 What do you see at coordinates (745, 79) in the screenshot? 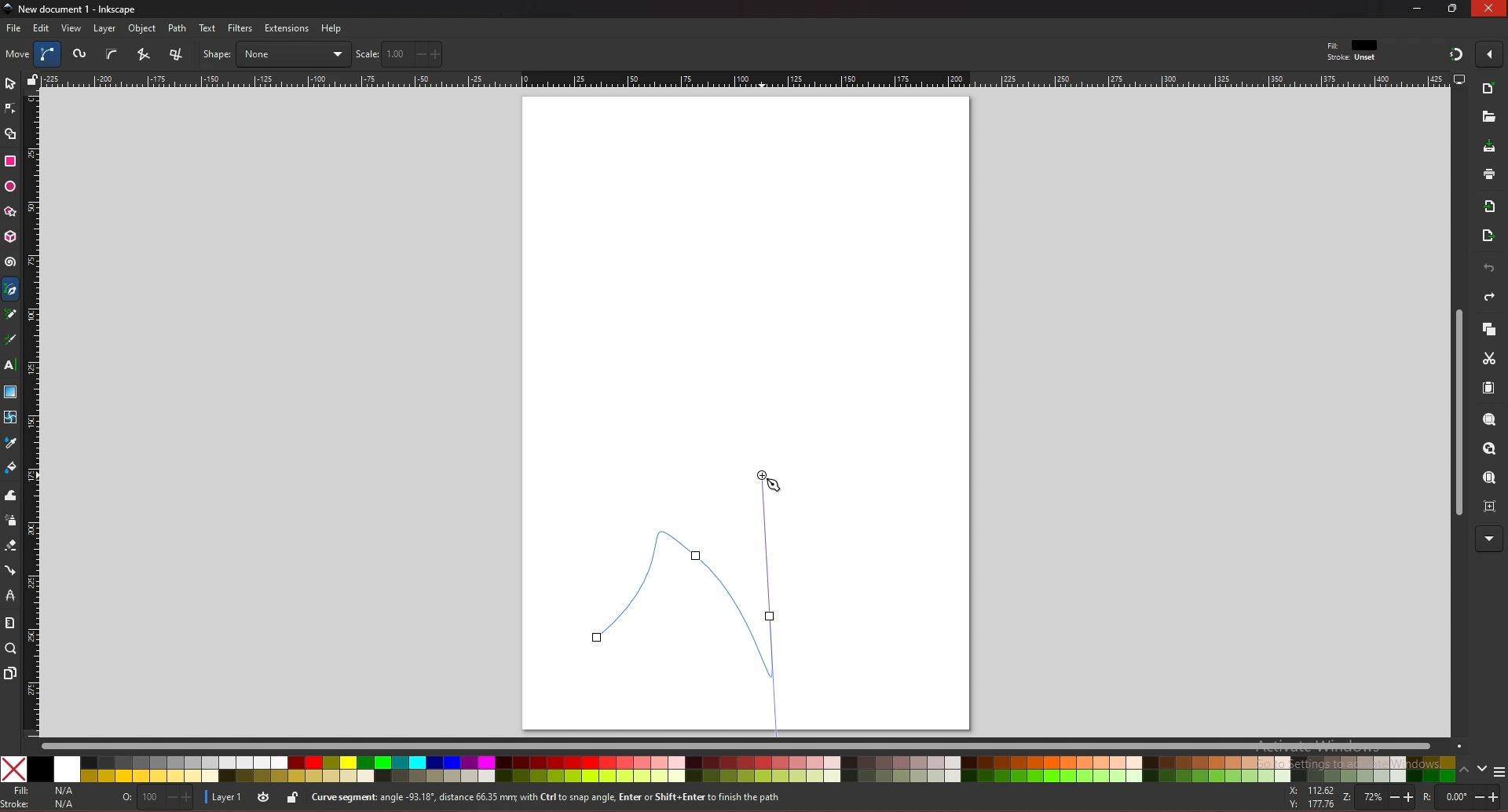
I see `horizontal rule` at bounding box center [745, 79].